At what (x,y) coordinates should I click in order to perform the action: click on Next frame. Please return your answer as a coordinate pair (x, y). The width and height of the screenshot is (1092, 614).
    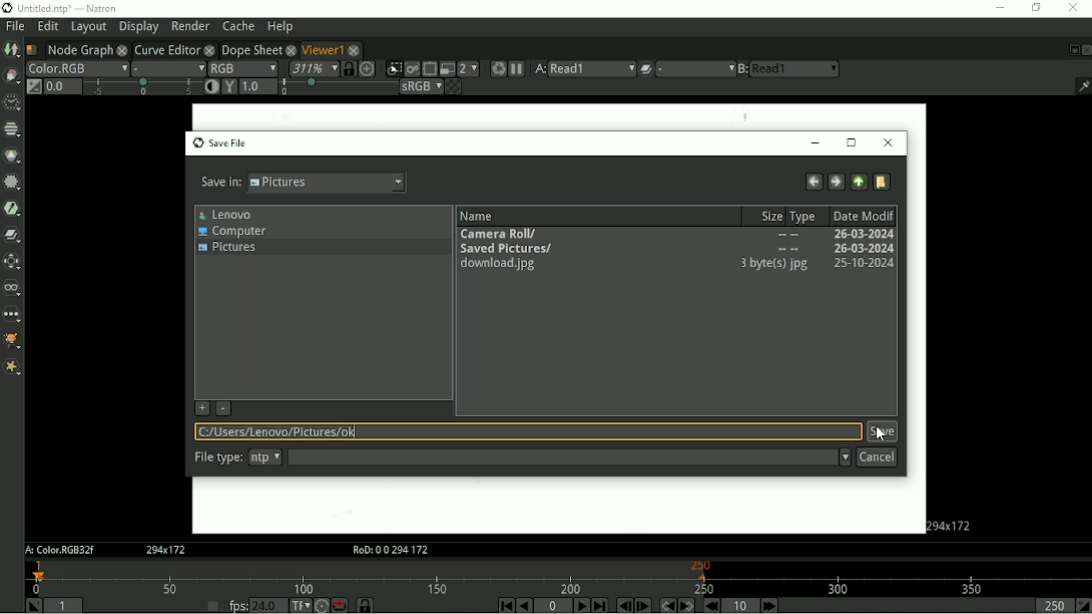
    Looking at the image, I should click on (643, 606).